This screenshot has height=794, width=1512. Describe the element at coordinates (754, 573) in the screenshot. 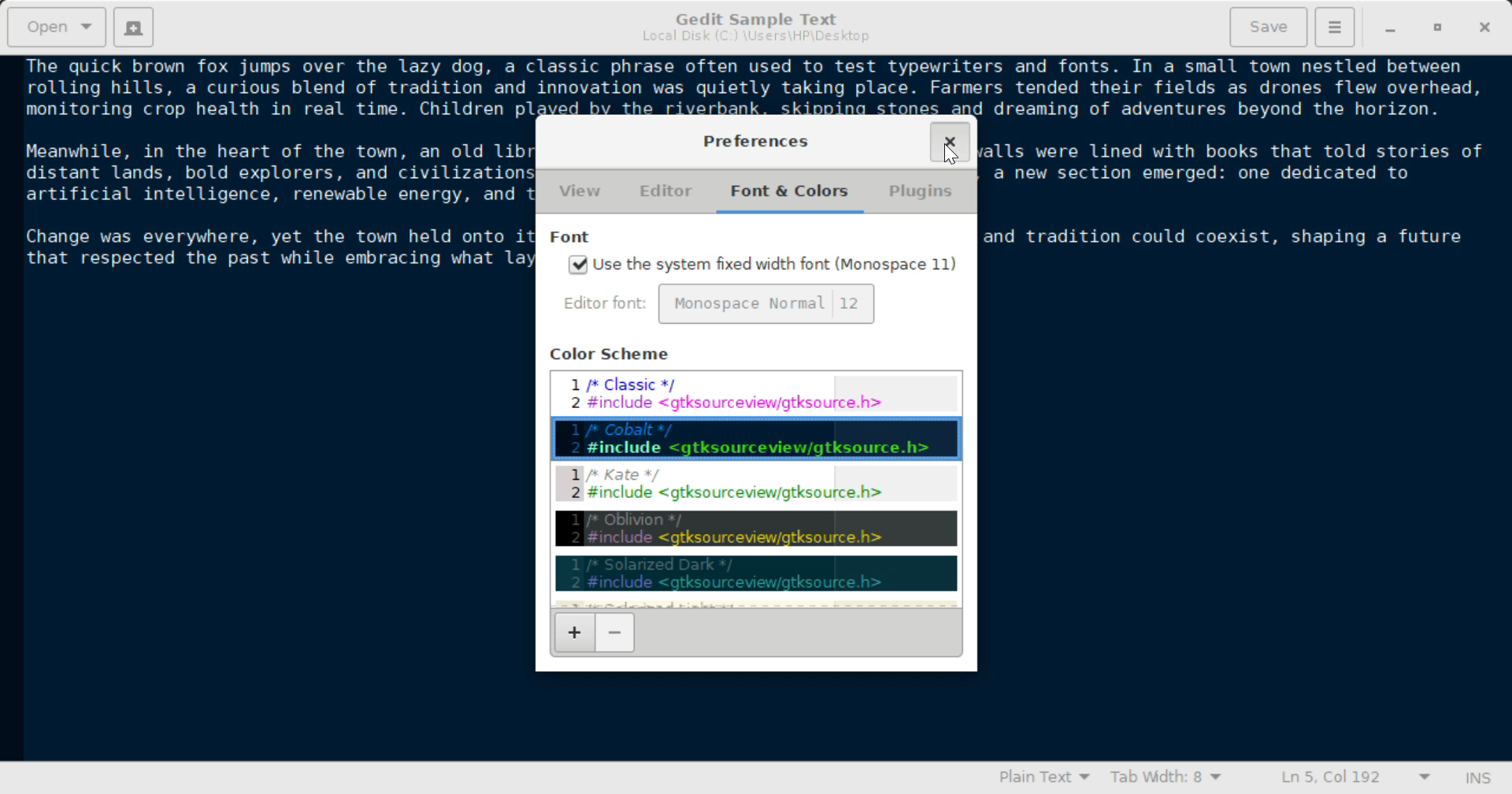

I see `Solarized Dark` at that location.